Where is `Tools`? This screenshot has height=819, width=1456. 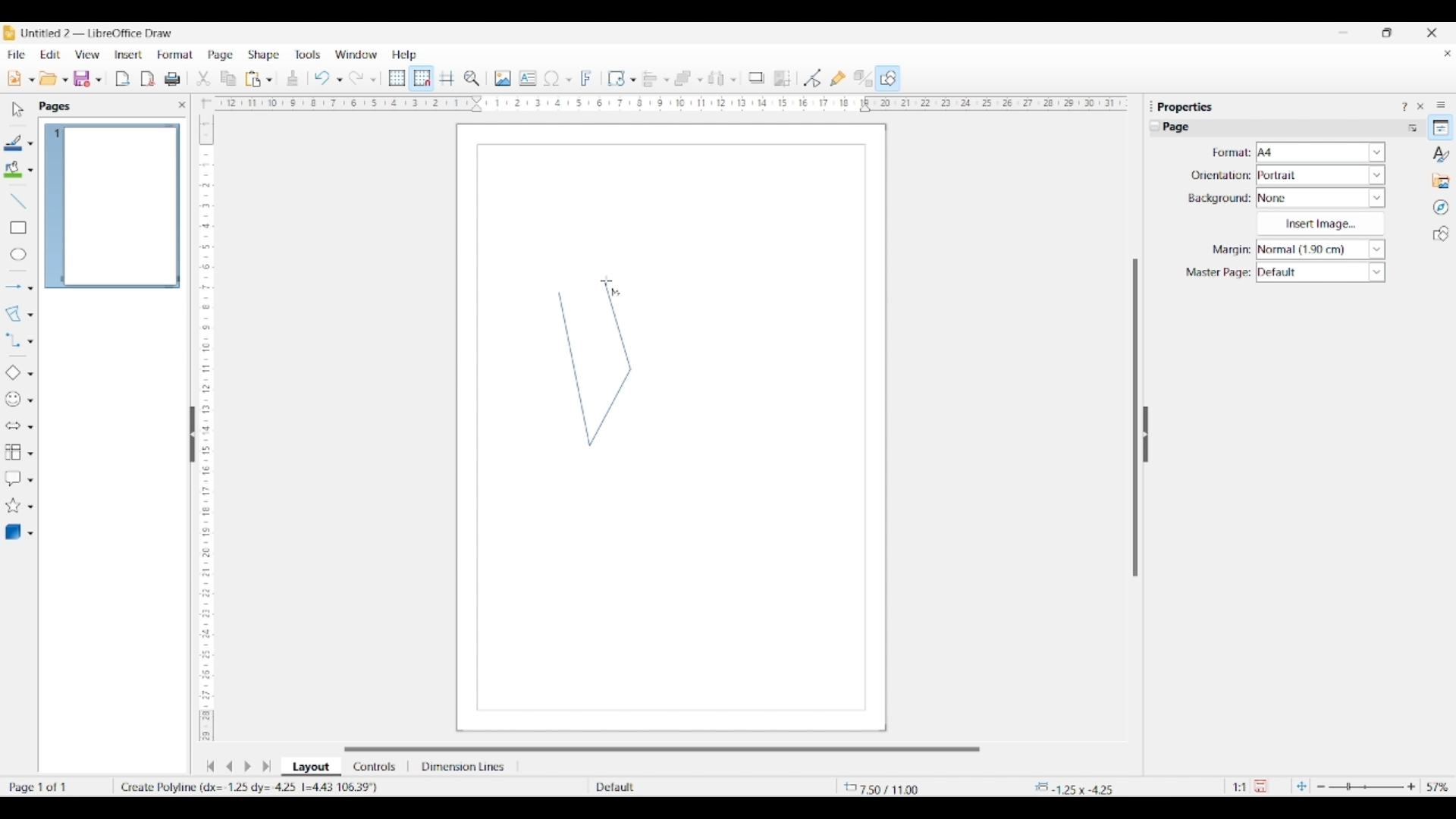 Tools is located at coordinates (308, 54).